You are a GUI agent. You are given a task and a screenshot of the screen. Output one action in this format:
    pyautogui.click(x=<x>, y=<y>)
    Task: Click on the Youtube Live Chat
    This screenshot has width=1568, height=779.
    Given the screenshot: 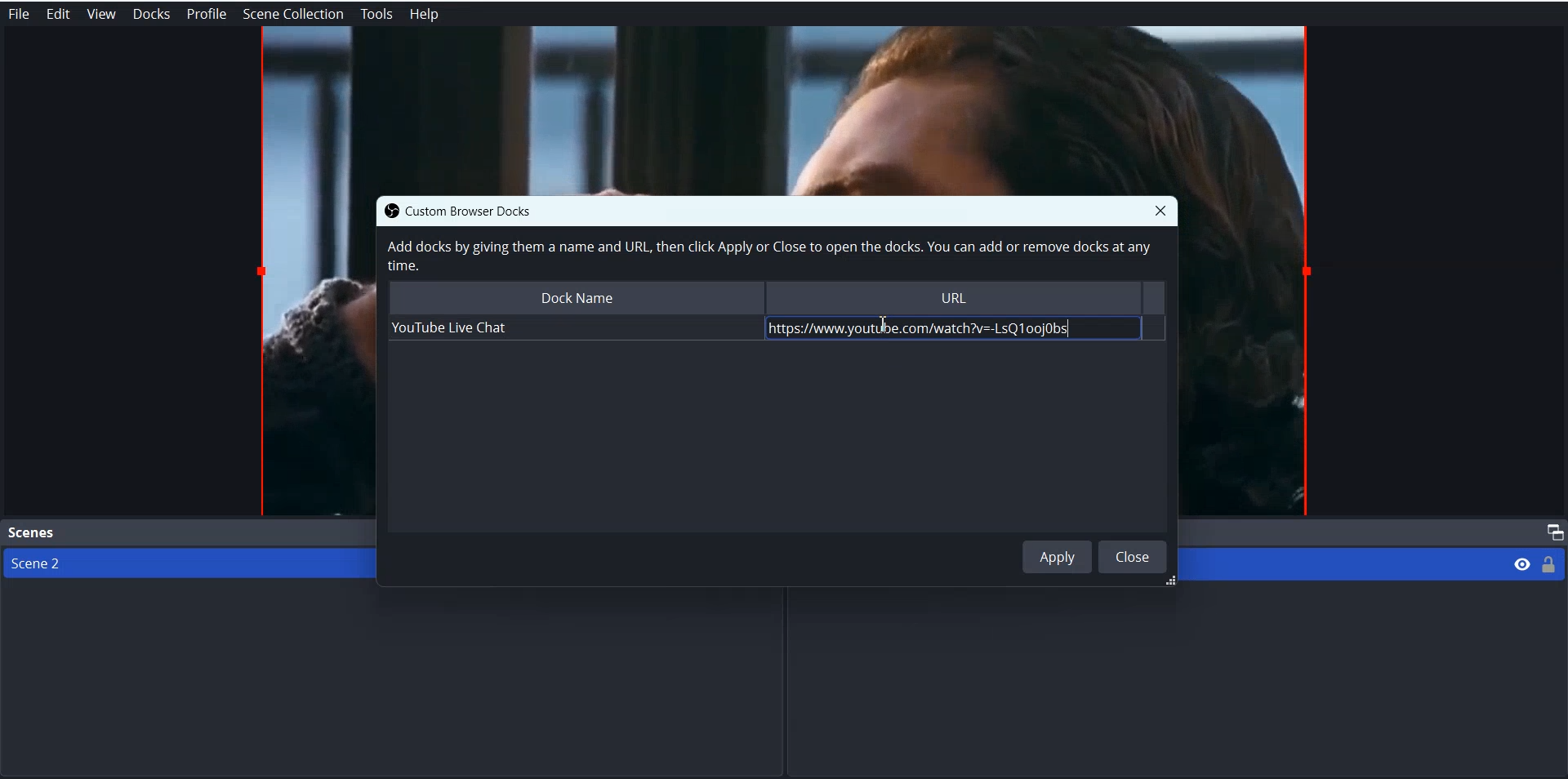 What is the action you would take?
    pyautogui.click(x=571, y=328)
    